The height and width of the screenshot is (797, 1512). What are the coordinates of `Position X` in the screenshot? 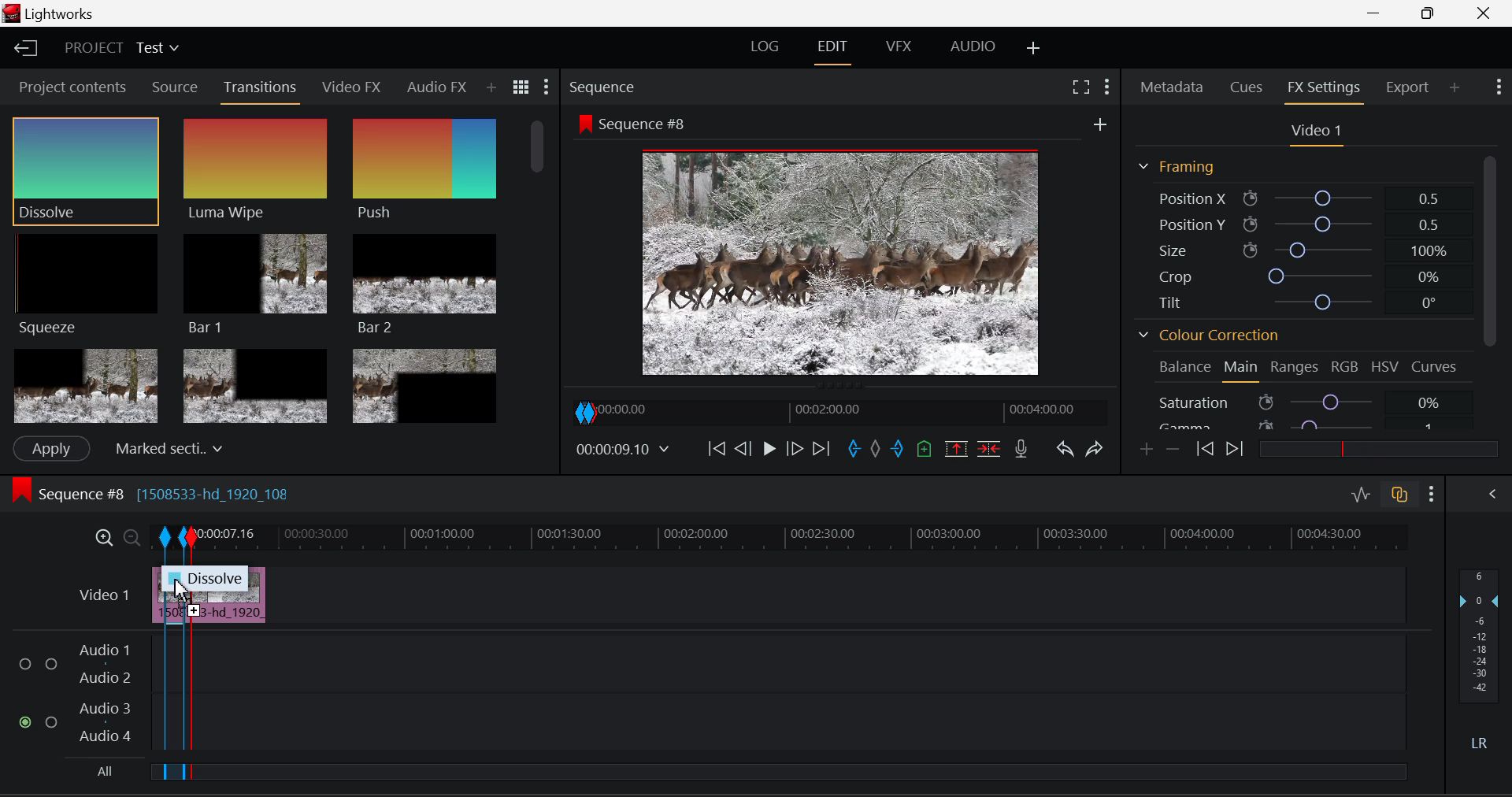 It's located at (1296, 196).